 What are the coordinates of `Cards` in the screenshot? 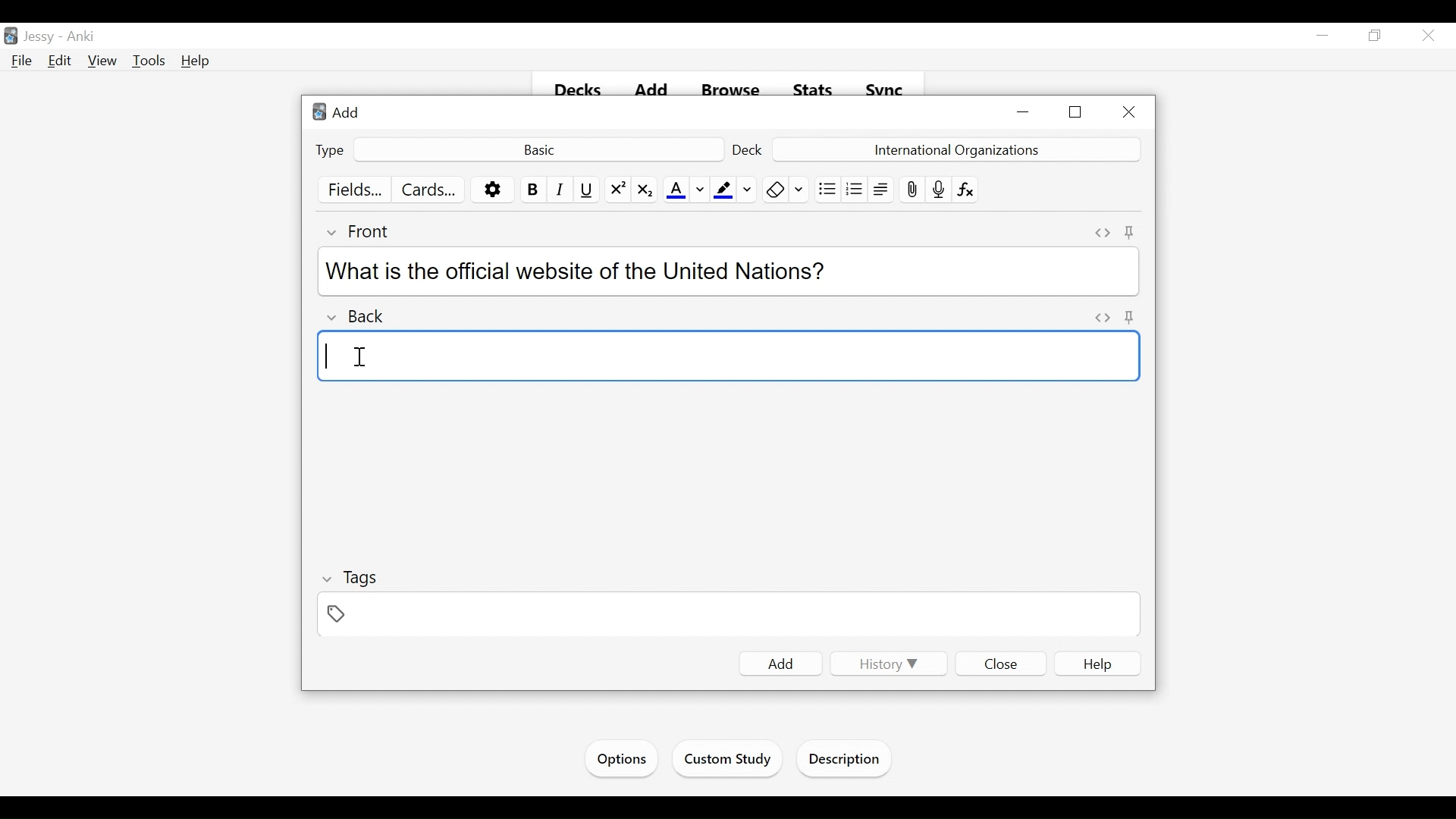 It's located at (426, 189).